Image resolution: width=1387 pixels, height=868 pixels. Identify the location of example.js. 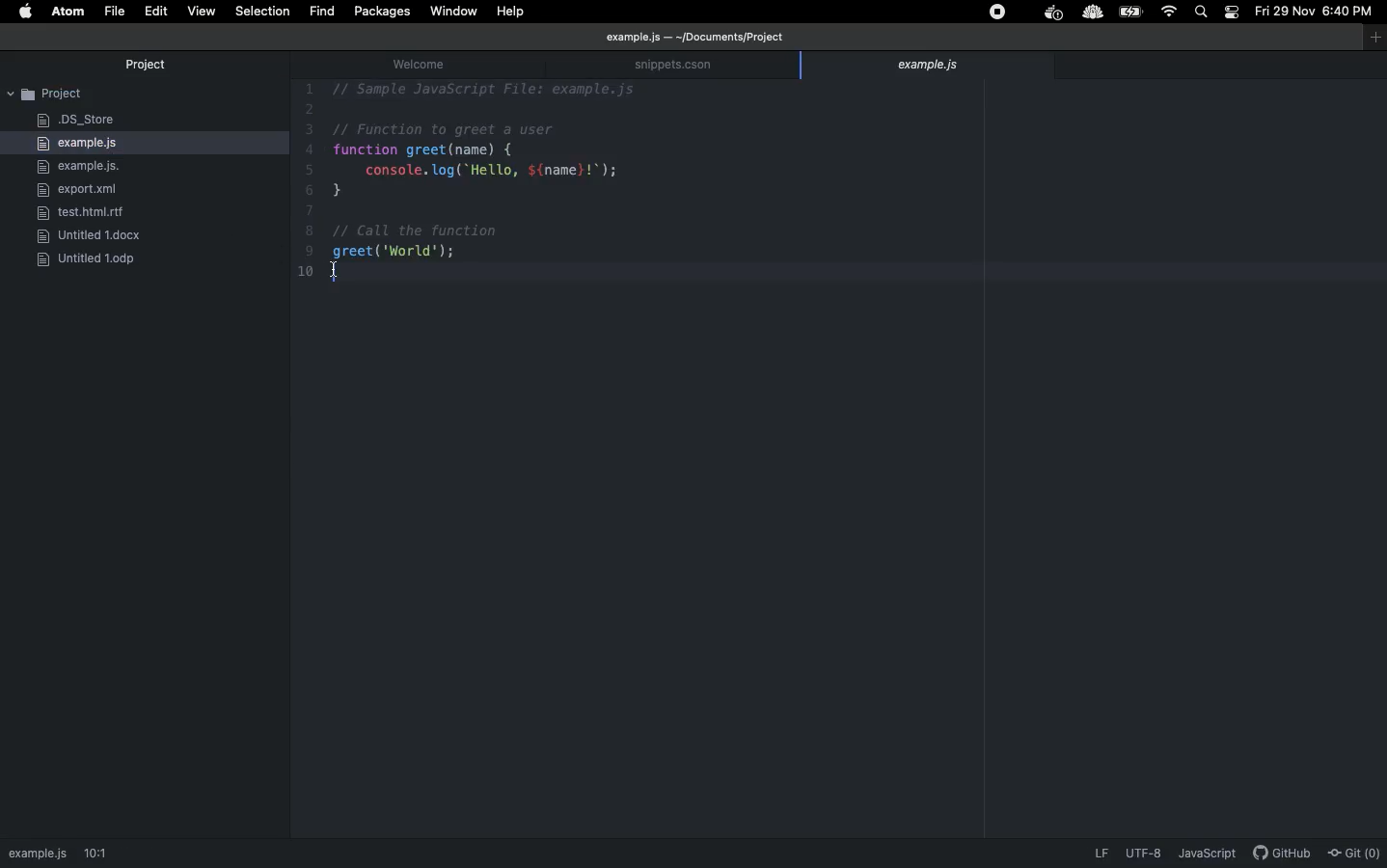
(80, 143).